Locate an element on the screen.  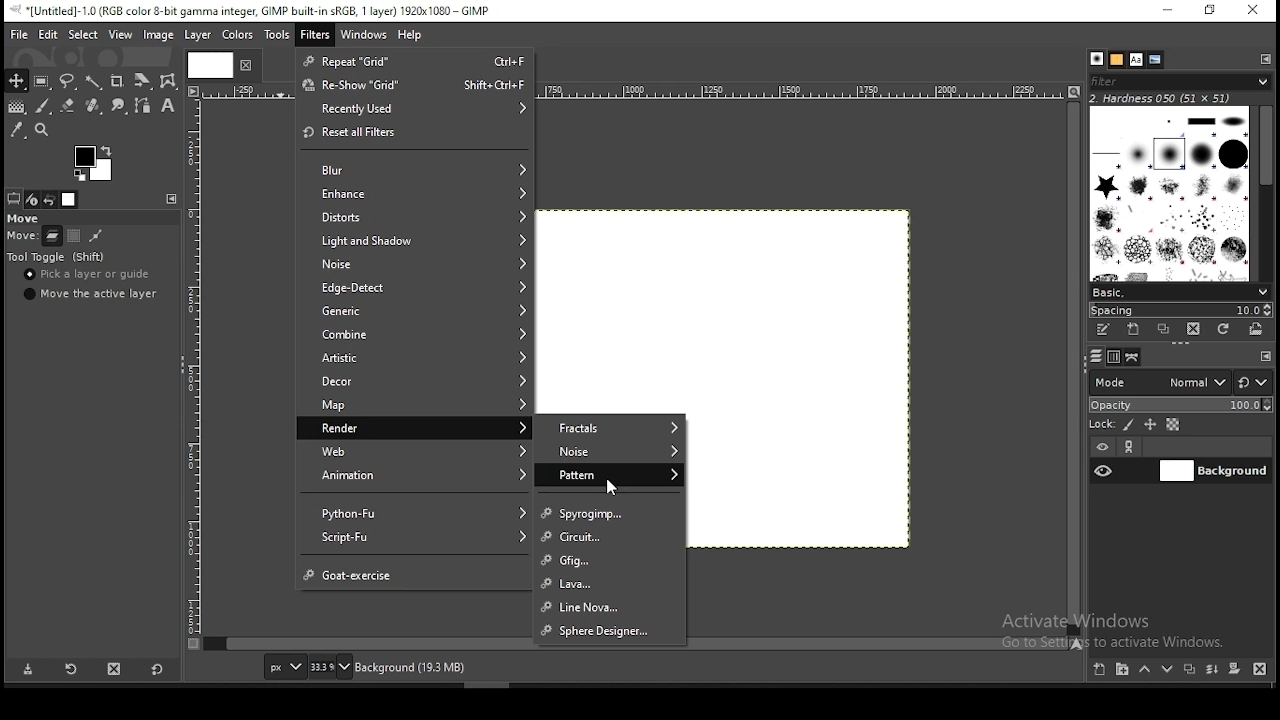
lock size and position is located at coordinates (1150, 424).